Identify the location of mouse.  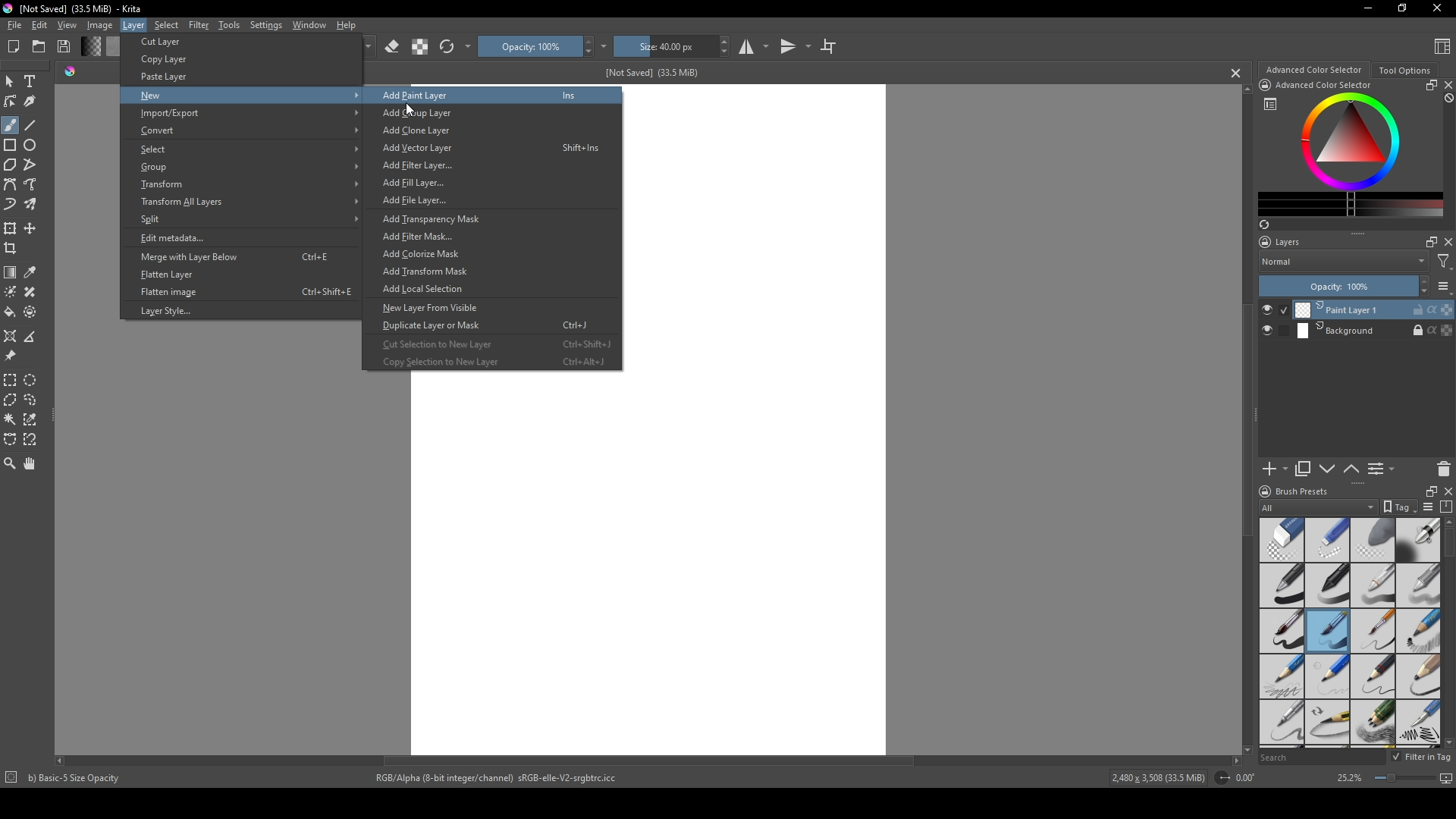
(9, 82).